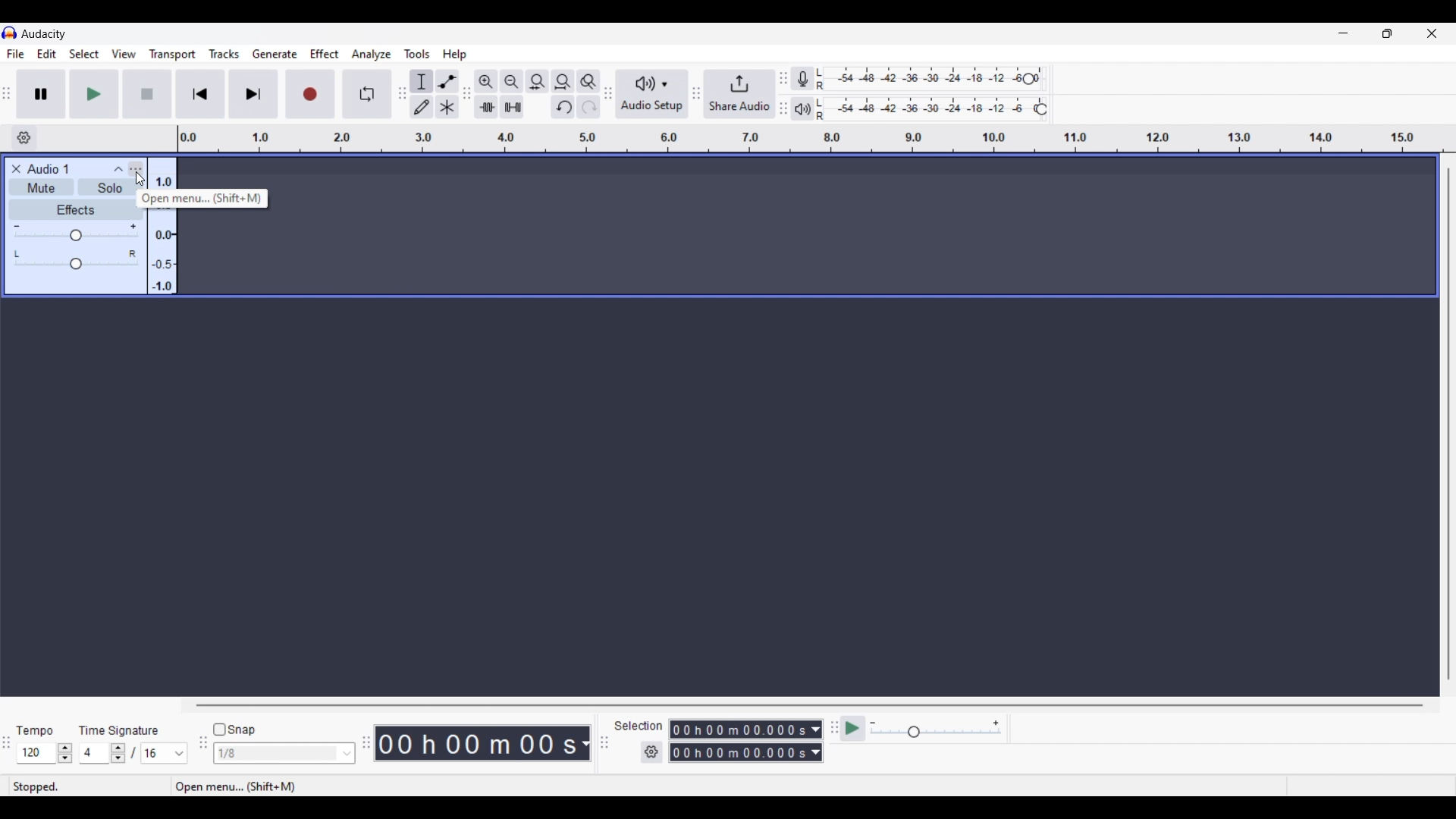 Image resolution: width=1456 pixels, height=819 pixels. Describe the element at coordinates (118, 753) in the screenshot. I see `Increase/Decrease time signature` at that location.